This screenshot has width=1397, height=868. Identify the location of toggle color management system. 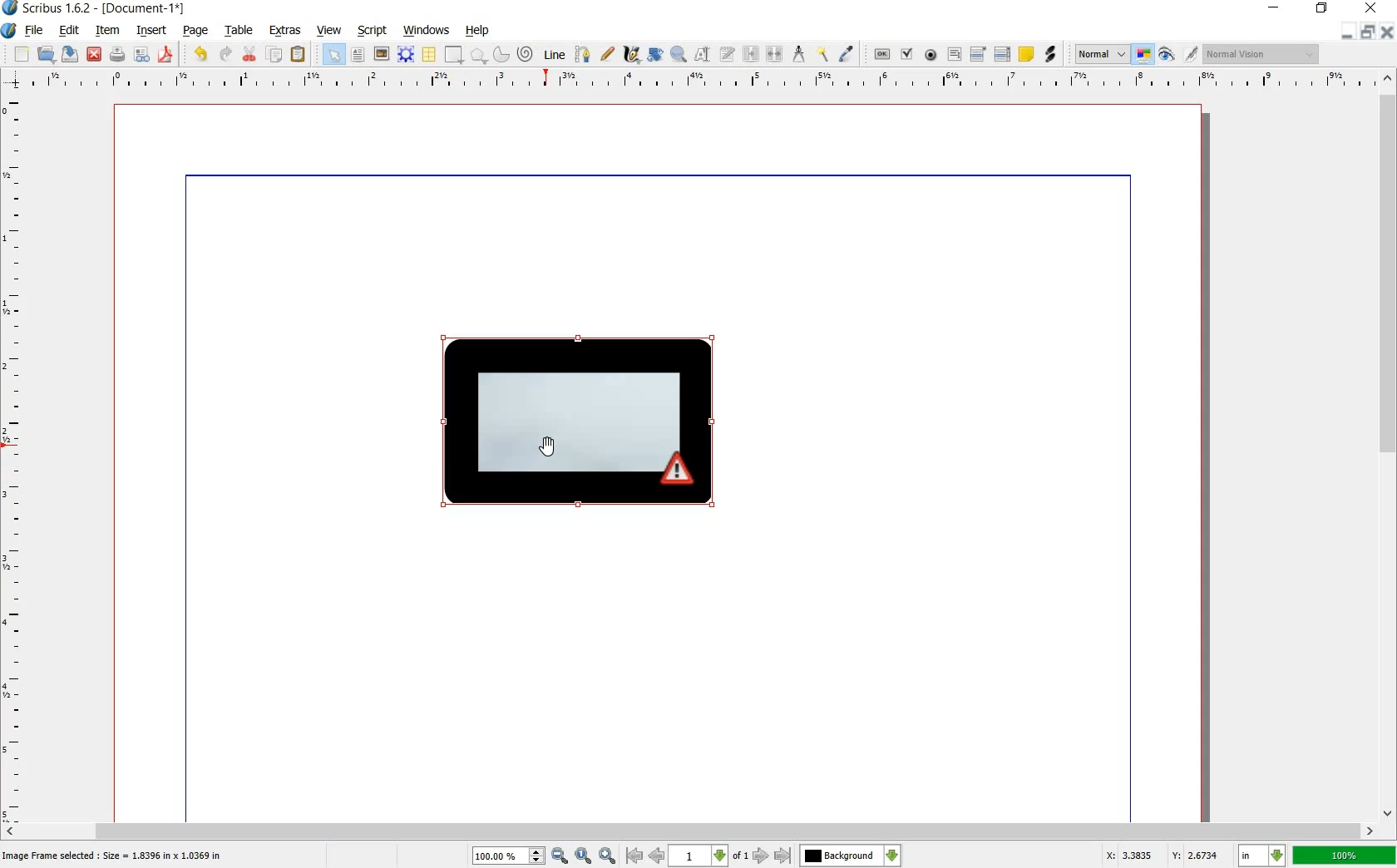
(1143, 55).